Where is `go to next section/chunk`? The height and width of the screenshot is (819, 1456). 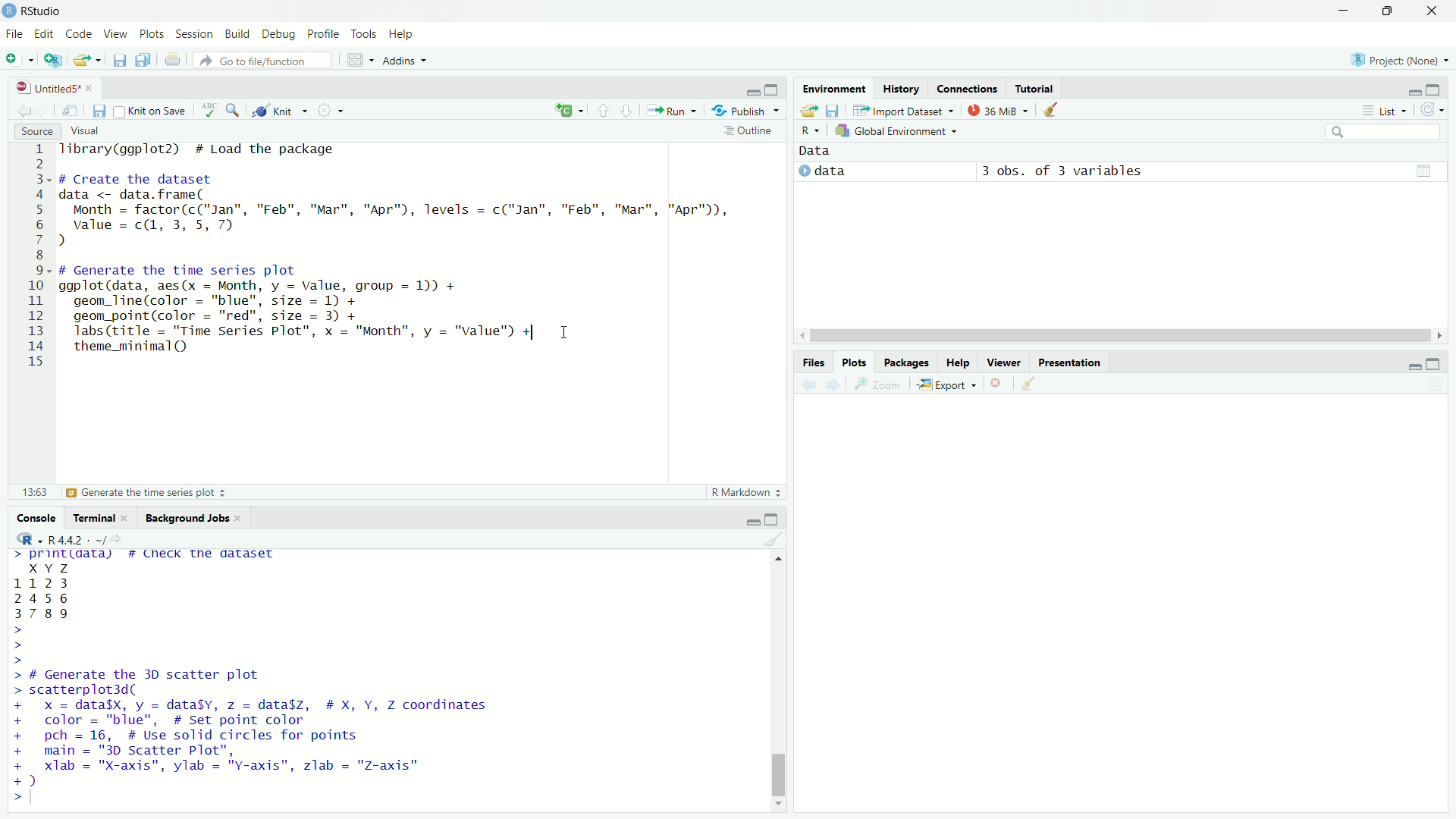 go to next section/chunk is located at coordinates (627, 111).